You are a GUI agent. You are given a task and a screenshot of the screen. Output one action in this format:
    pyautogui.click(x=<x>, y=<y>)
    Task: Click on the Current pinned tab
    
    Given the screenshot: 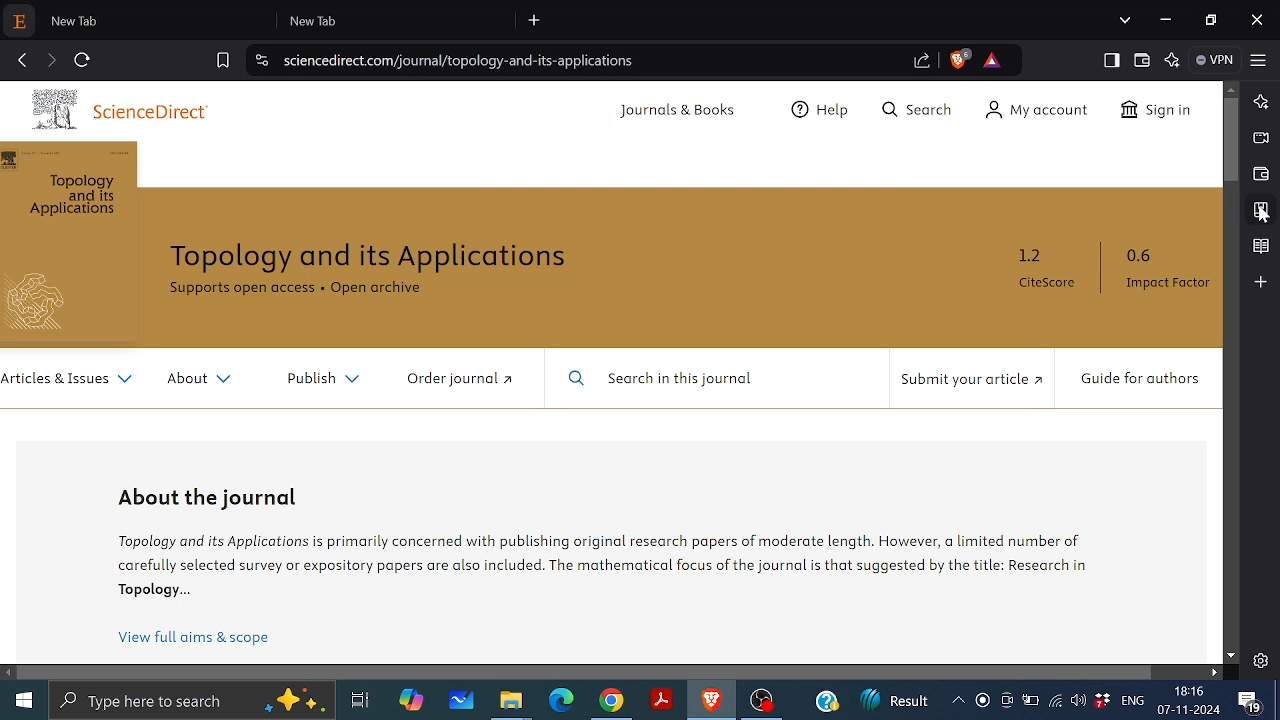 What is the action you would take?
    pyautogui.click(x=21, y=22)
    